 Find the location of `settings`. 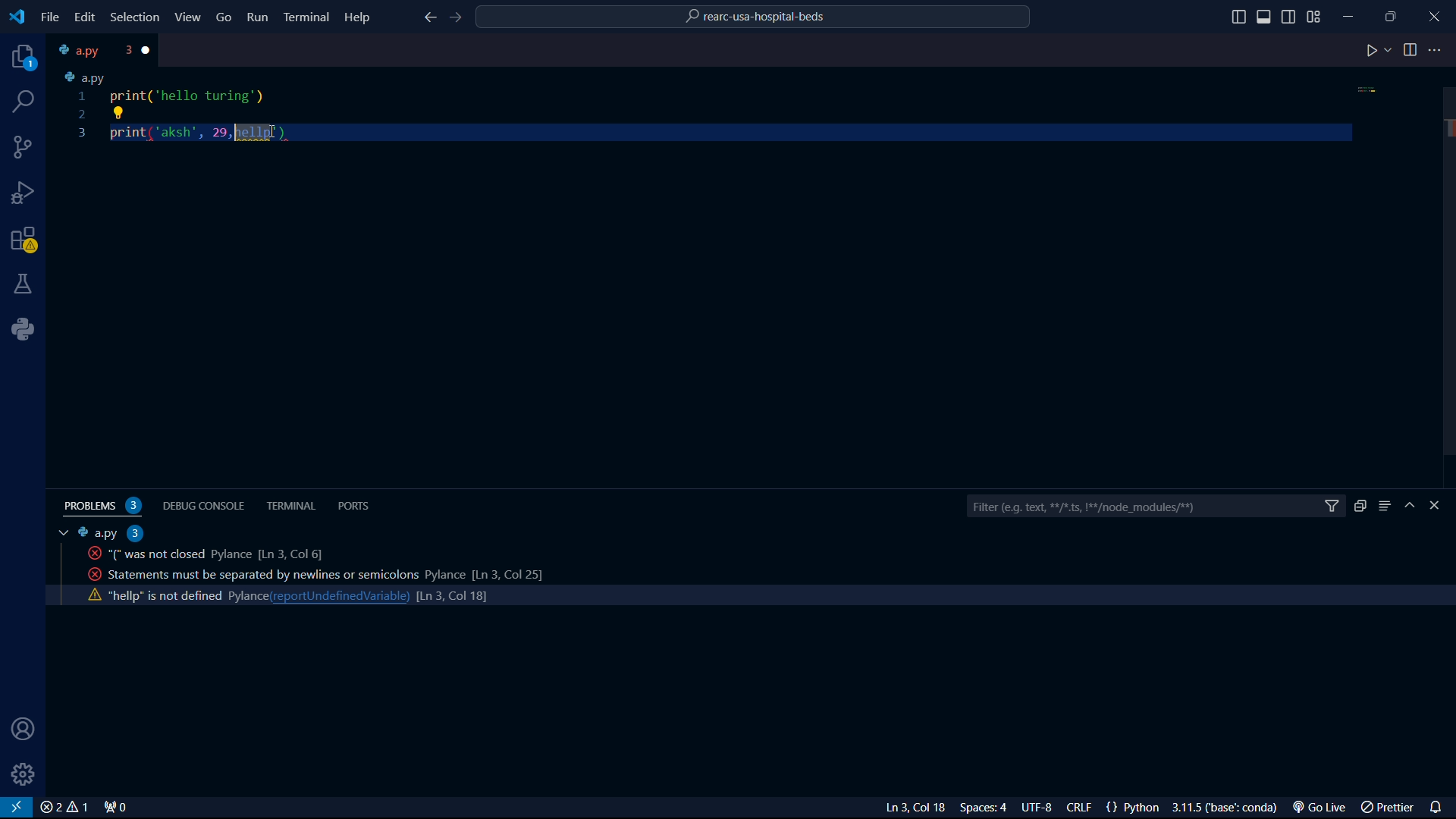

settings is located at coordinates (24, 774).